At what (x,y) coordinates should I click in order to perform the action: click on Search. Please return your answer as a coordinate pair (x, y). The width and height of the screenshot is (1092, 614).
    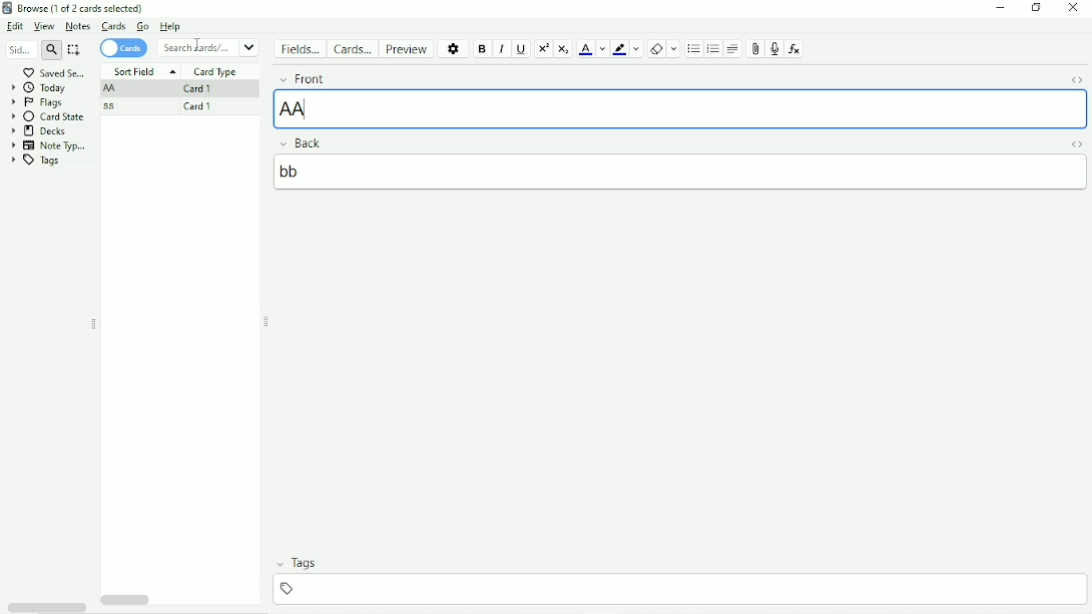
    Looking at the image, I should click on (197, 47).